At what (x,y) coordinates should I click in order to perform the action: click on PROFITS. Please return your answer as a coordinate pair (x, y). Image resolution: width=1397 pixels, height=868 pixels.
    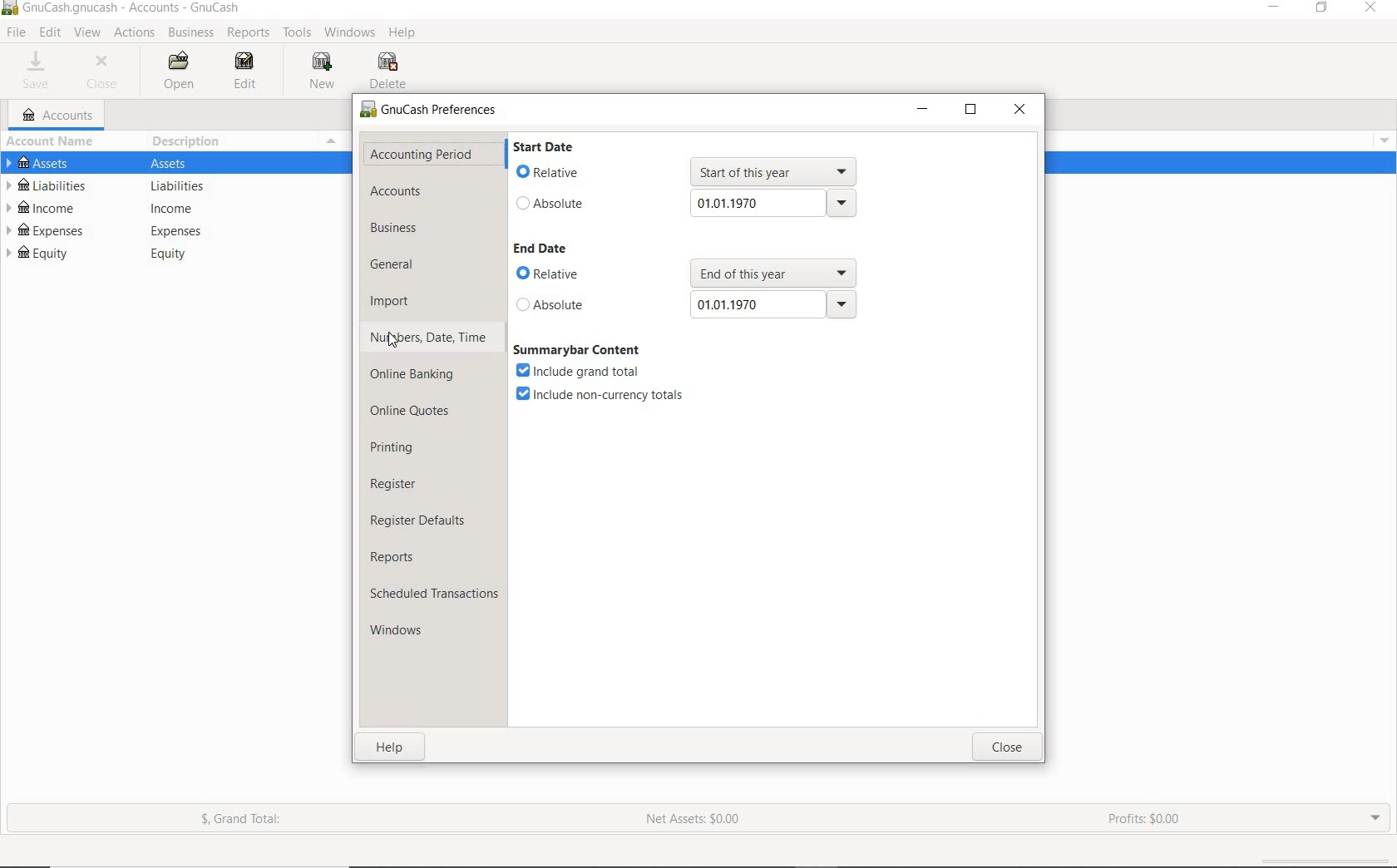
    Looking at the image, I should click on (1151, 821).